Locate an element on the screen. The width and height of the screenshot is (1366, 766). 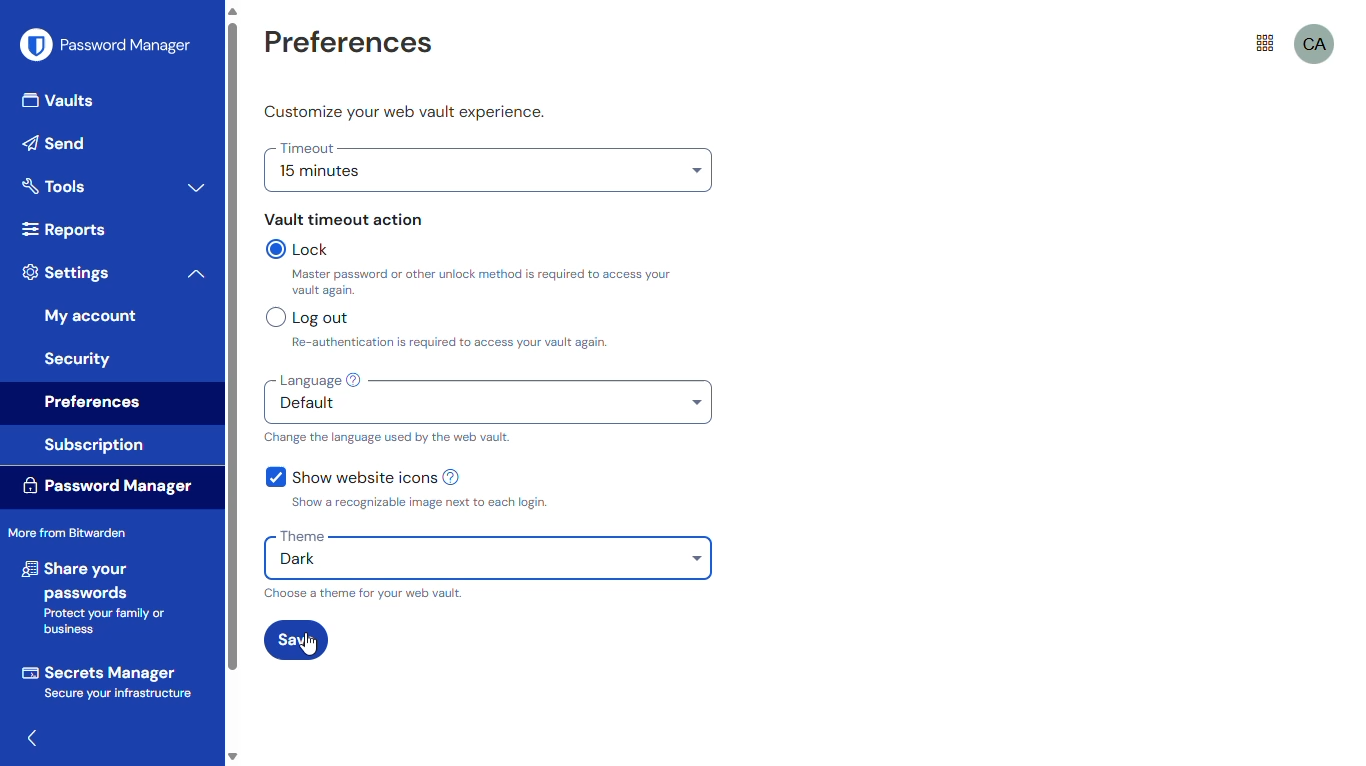
preferences is located at coordinates (94, 404).